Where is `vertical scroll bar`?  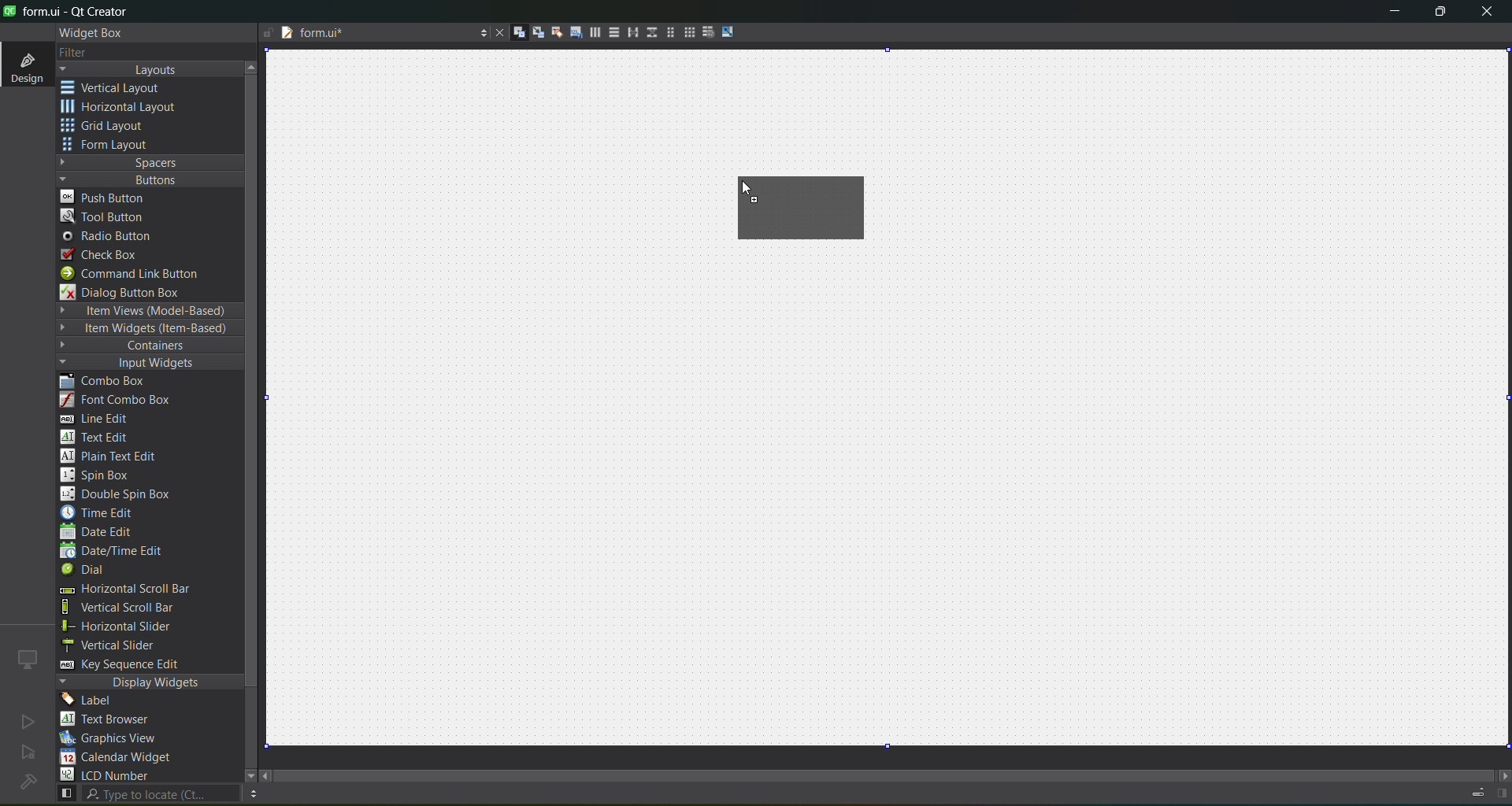 vertical scroll bar is located at coordinates (135, 608).